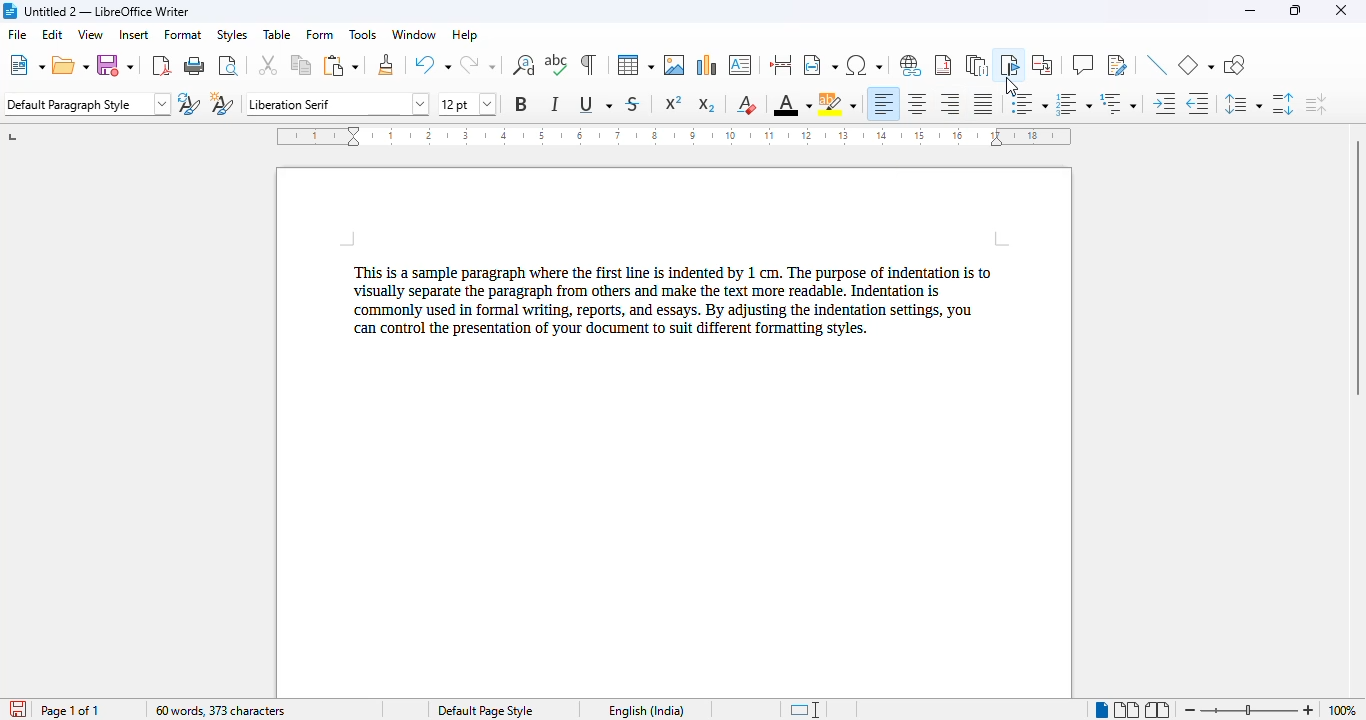 The width and height of the screenshot is (1366, 720). I want to click on set line spacing, so click(1241, 103).